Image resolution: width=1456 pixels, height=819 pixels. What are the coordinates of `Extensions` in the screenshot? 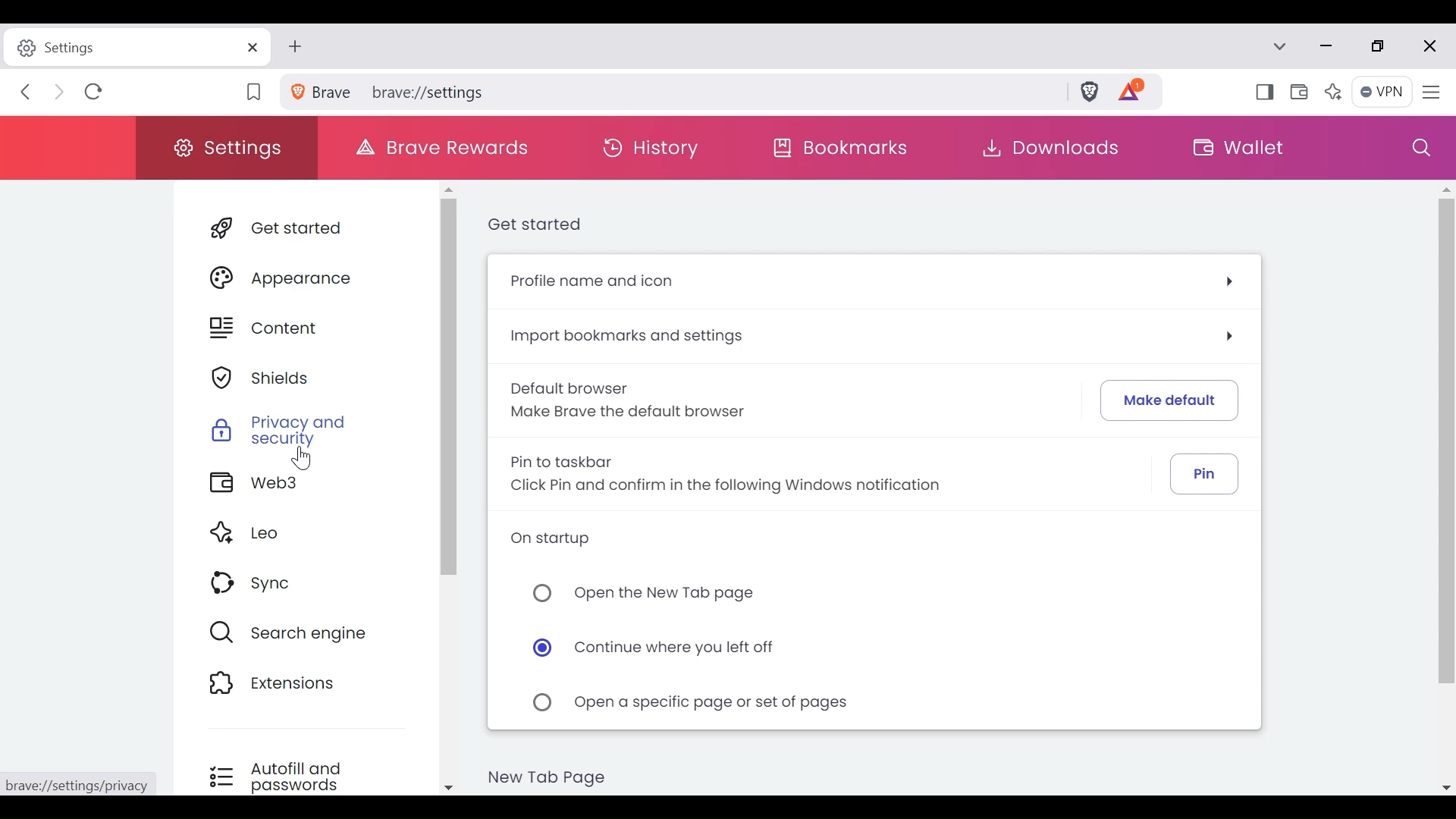 It's located at (297, 686).